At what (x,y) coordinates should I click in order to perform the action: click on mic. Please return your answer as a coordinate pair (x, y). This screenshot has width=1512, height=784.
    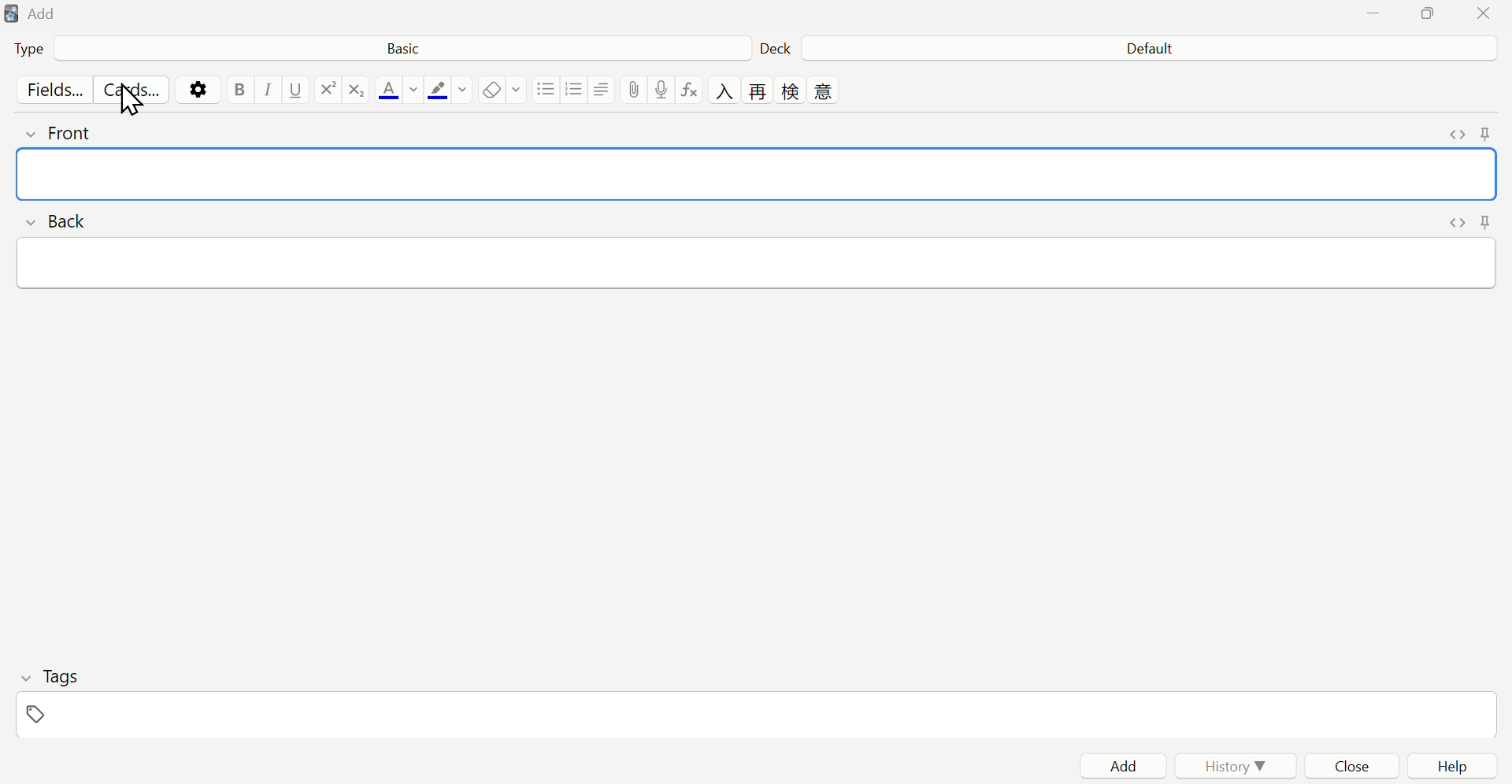
    Looking at the image, I should click on (662, 89).